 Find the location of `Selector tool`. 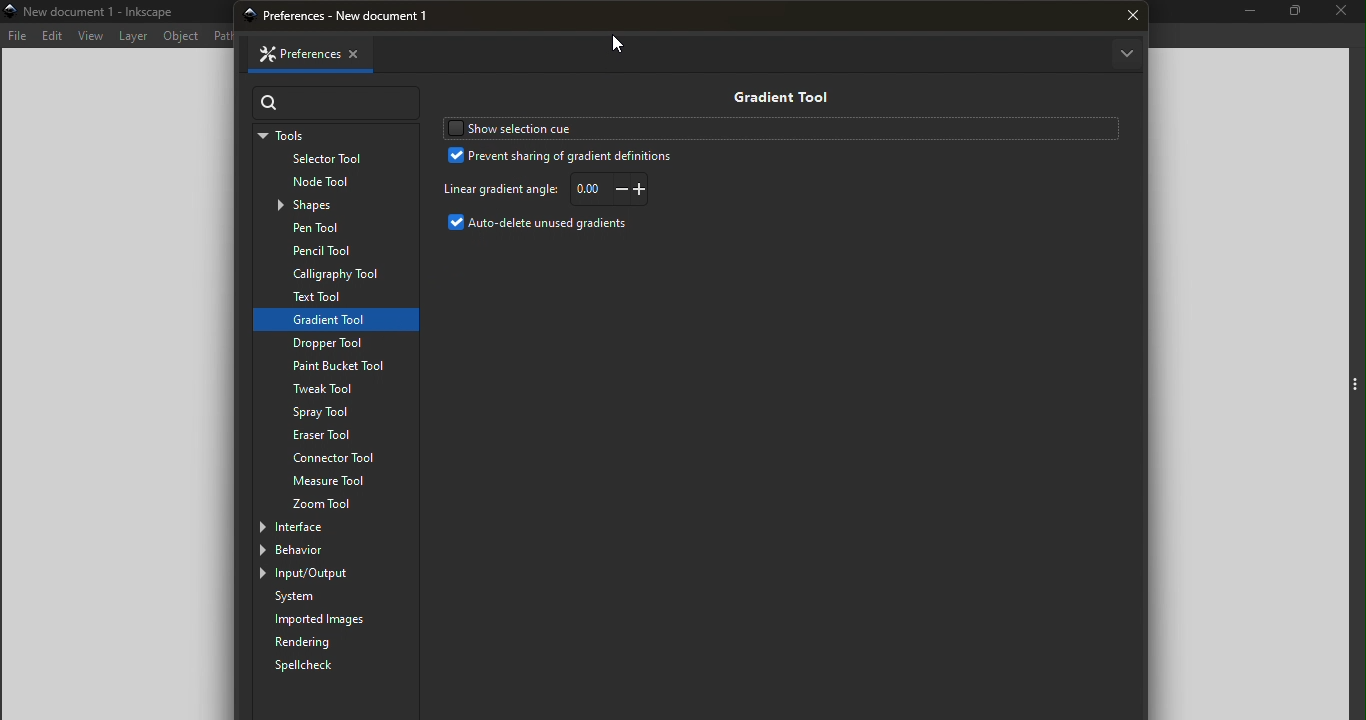

Selector tool is located at coordinates (333, 161).